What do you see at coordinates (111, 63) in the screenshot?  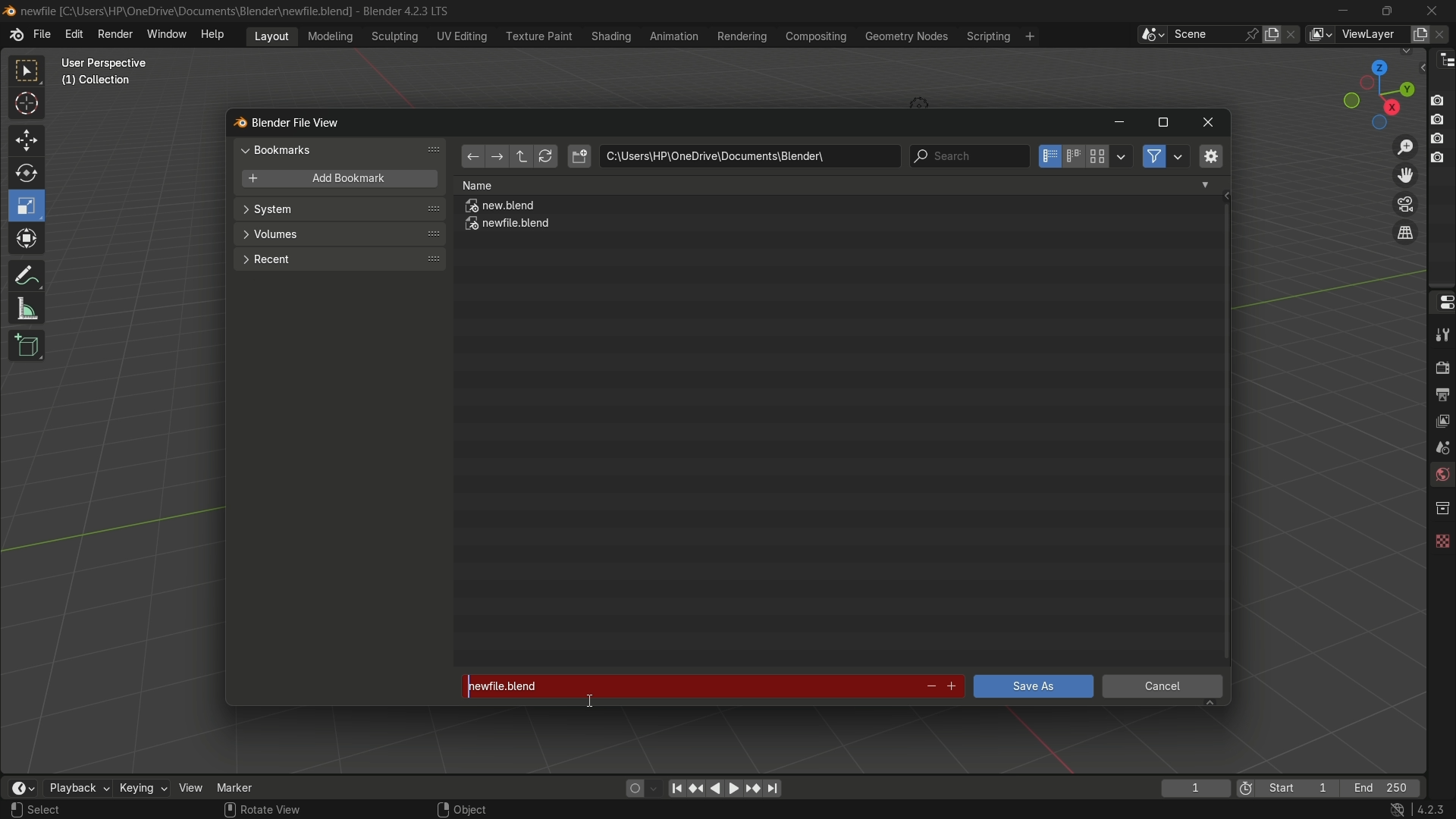 I see `User prepective` at bounding box center [111, 63].